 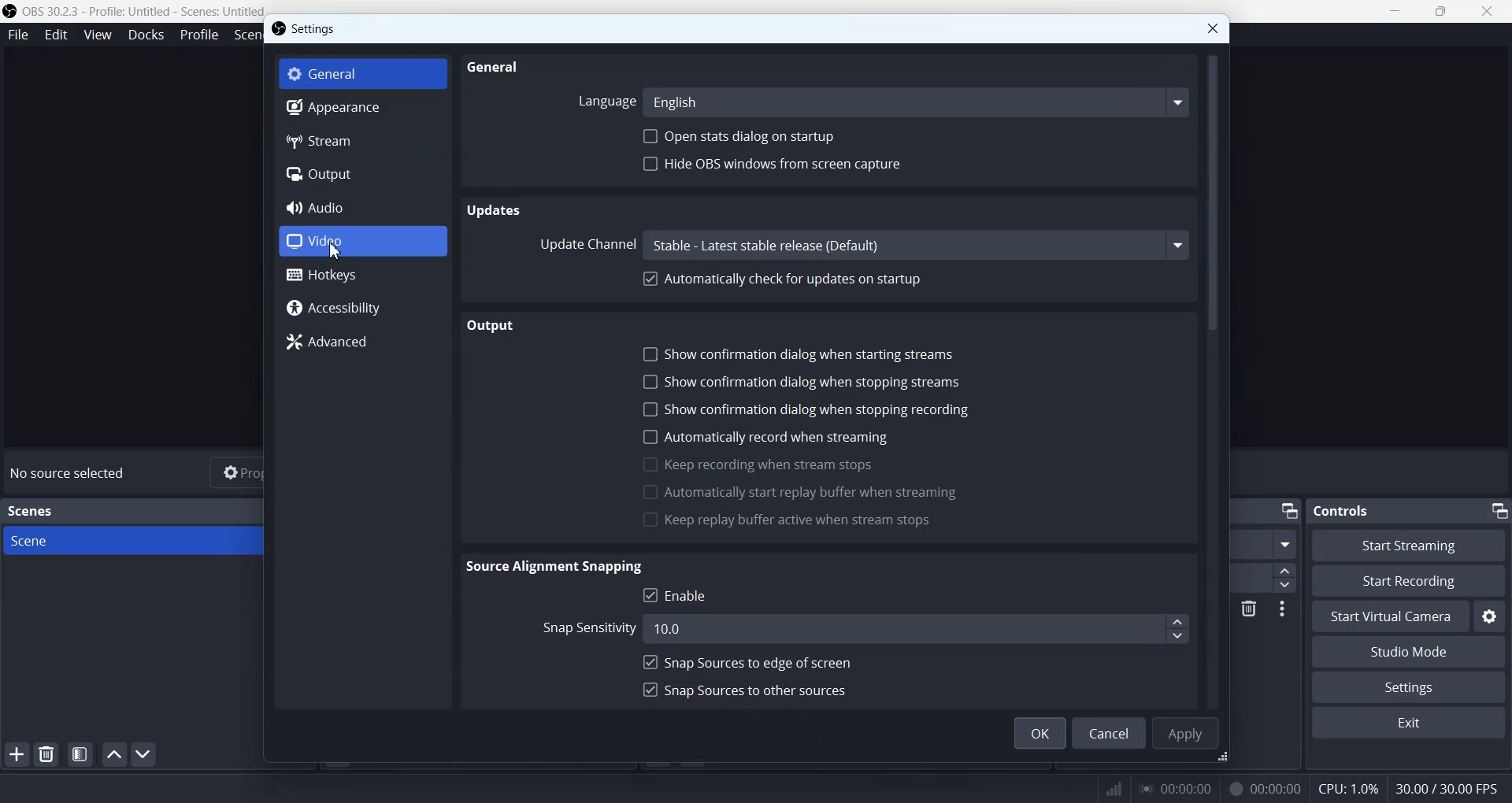 I want to click on Open Stats Dialog on startup, so click(x=739, y=136).